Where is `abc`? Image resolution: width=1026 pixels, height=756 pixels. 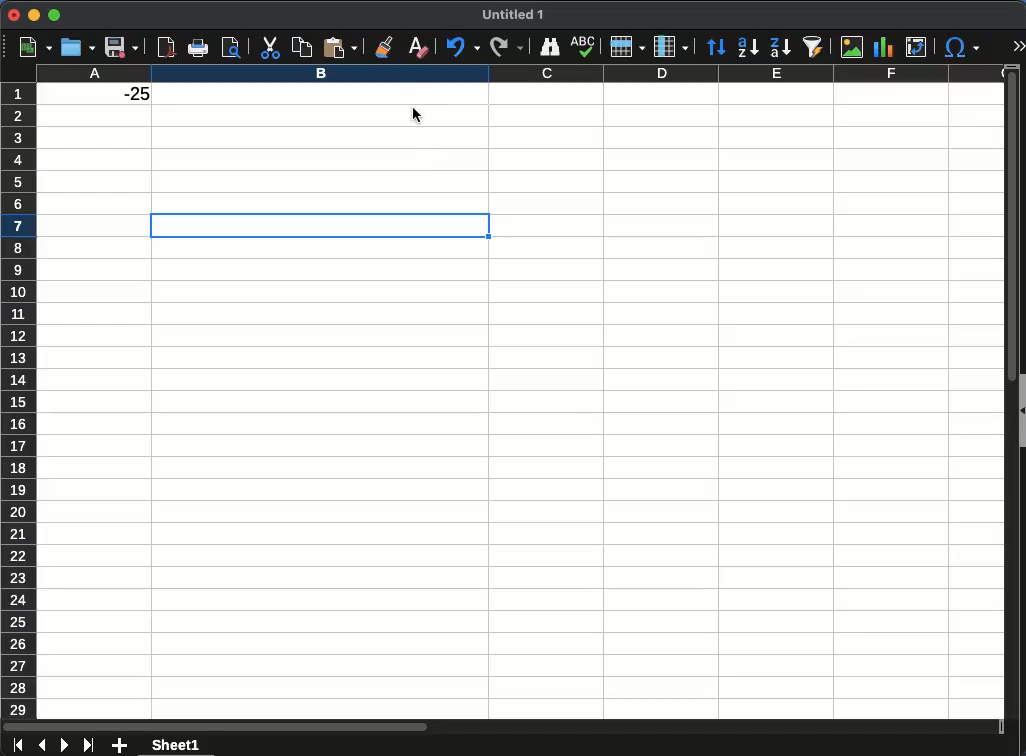 abc is located at coordinates (582, 46).